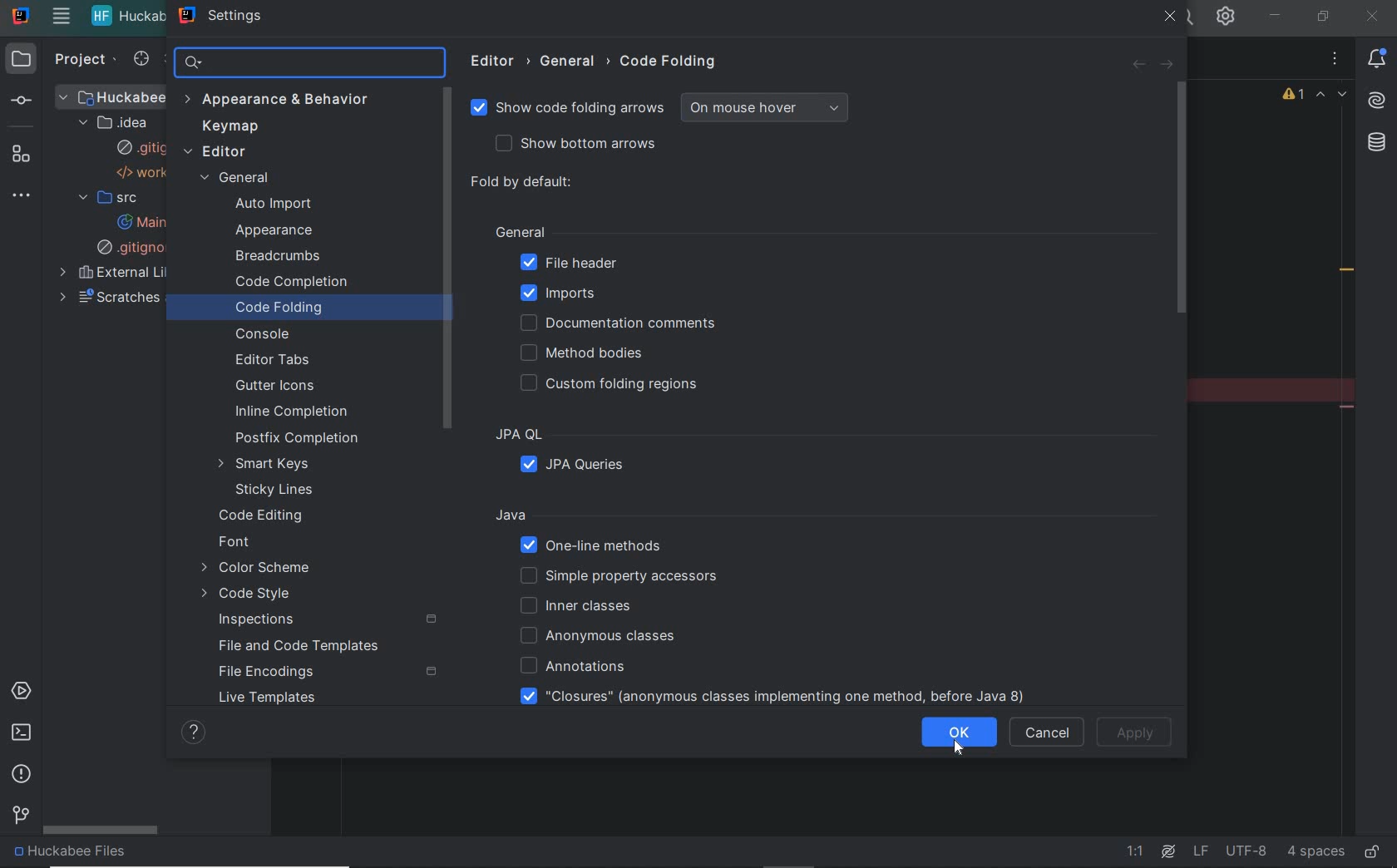 The height and width of the screenshot is (868, 1397). I want to click on imports, so click(564, 296).